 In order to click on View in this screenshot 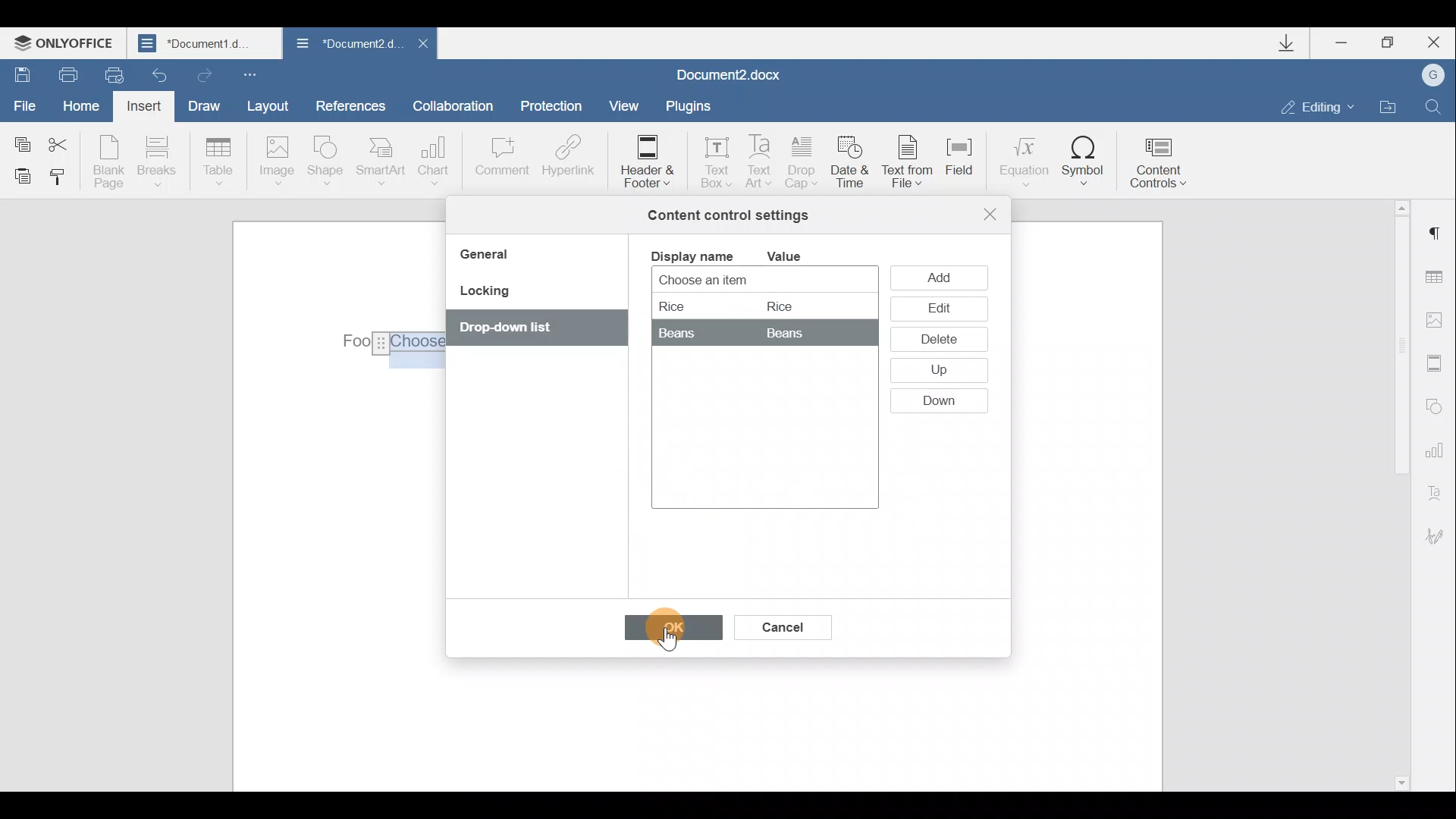, I will do `click(625, 105)`.